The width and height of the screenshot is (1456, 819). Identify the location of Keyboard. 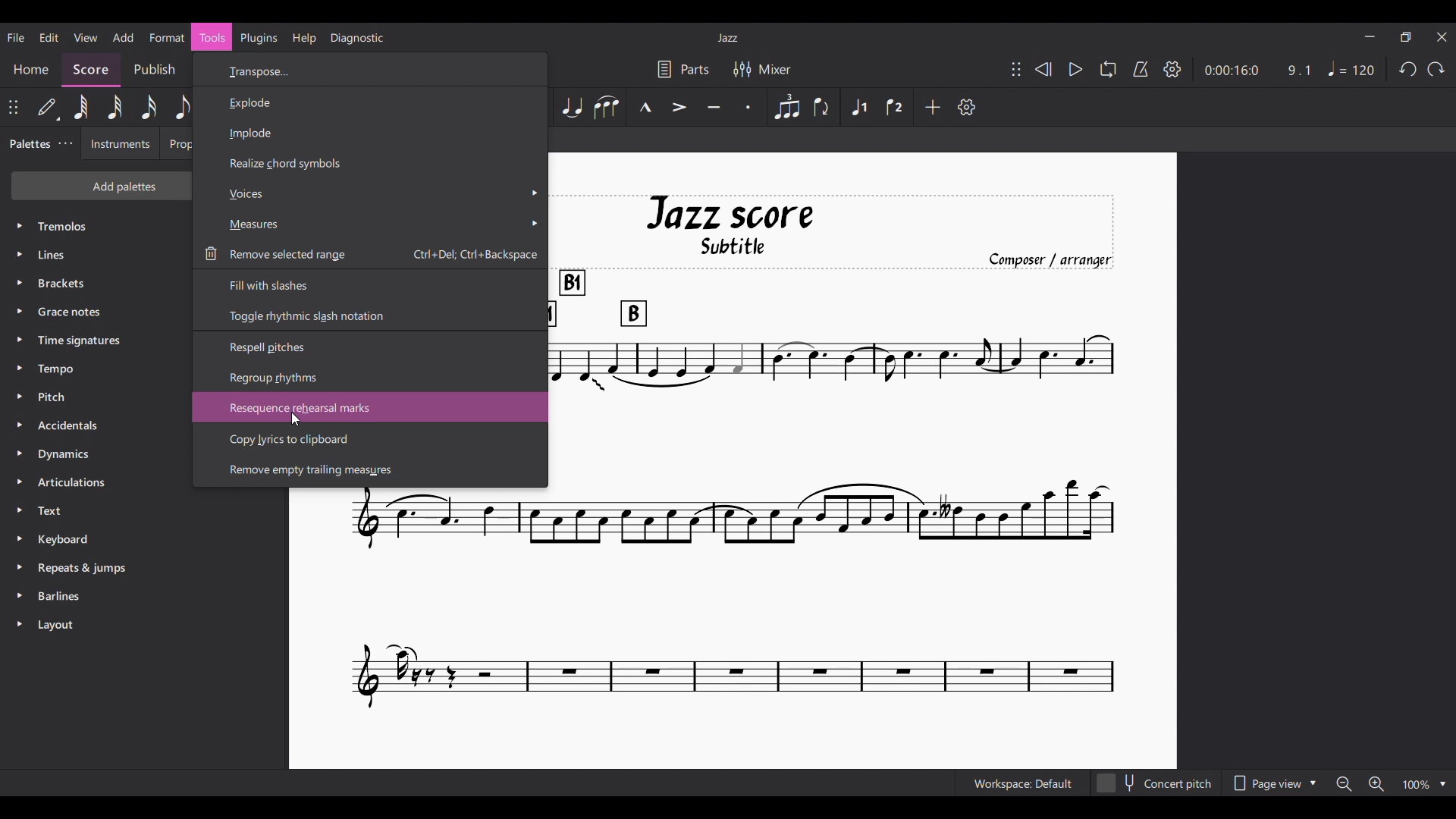
(145, 540).